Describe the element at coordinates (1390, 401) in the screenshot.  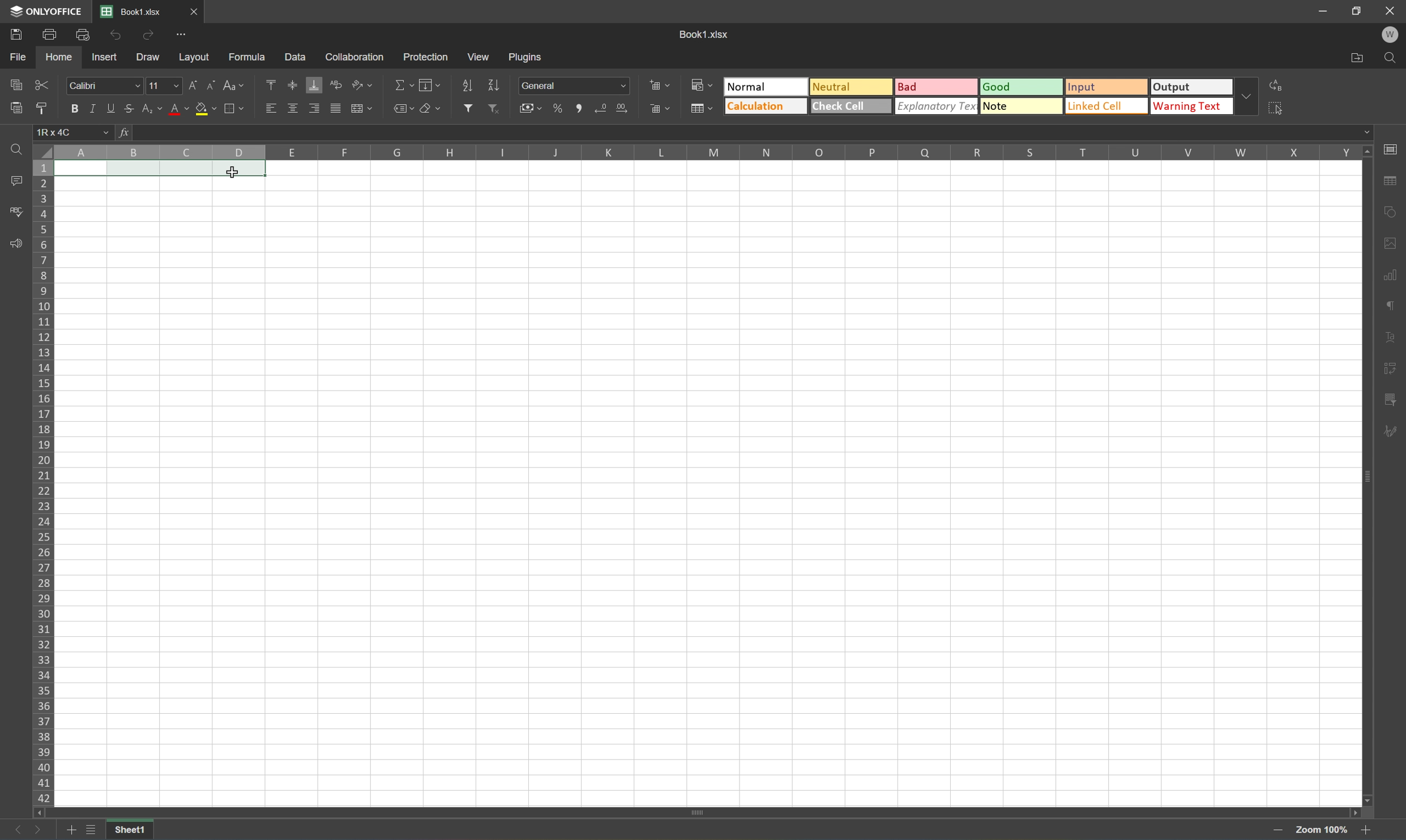
I see `Pivot table settings` at that location.